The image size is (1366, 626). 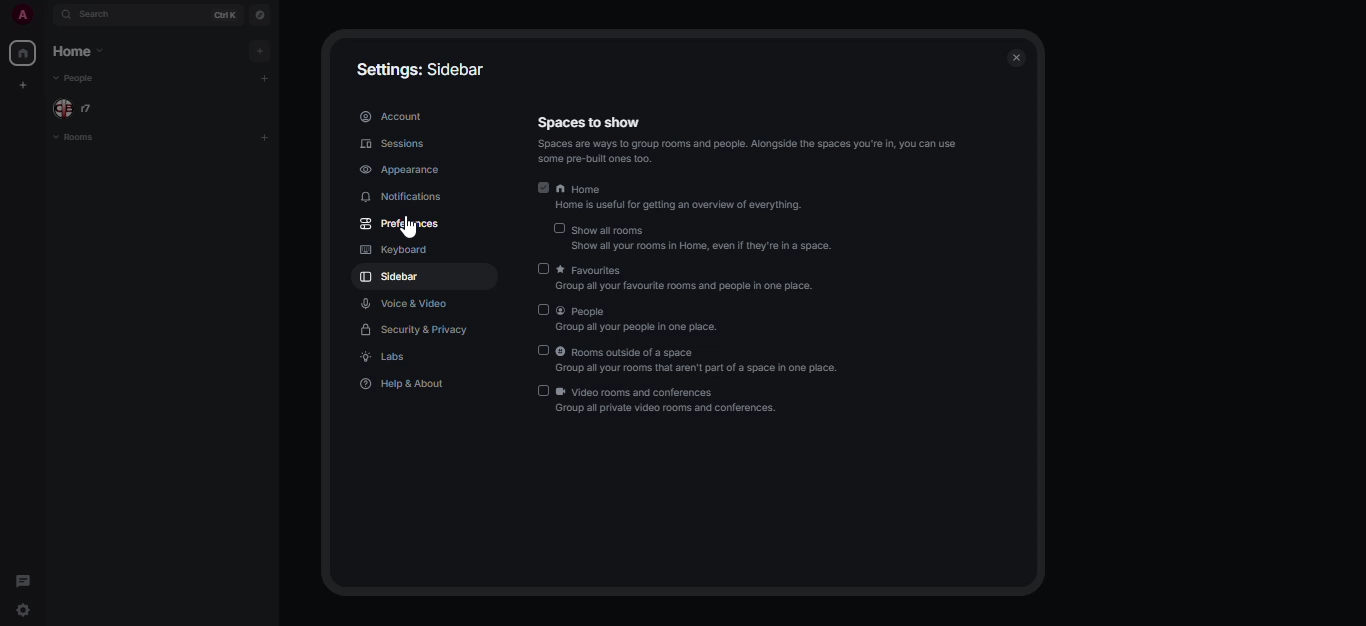 What do you see at coordinates (405, 305) in the screenshot?
I see `voice & video` at bounding box center [405, 305].